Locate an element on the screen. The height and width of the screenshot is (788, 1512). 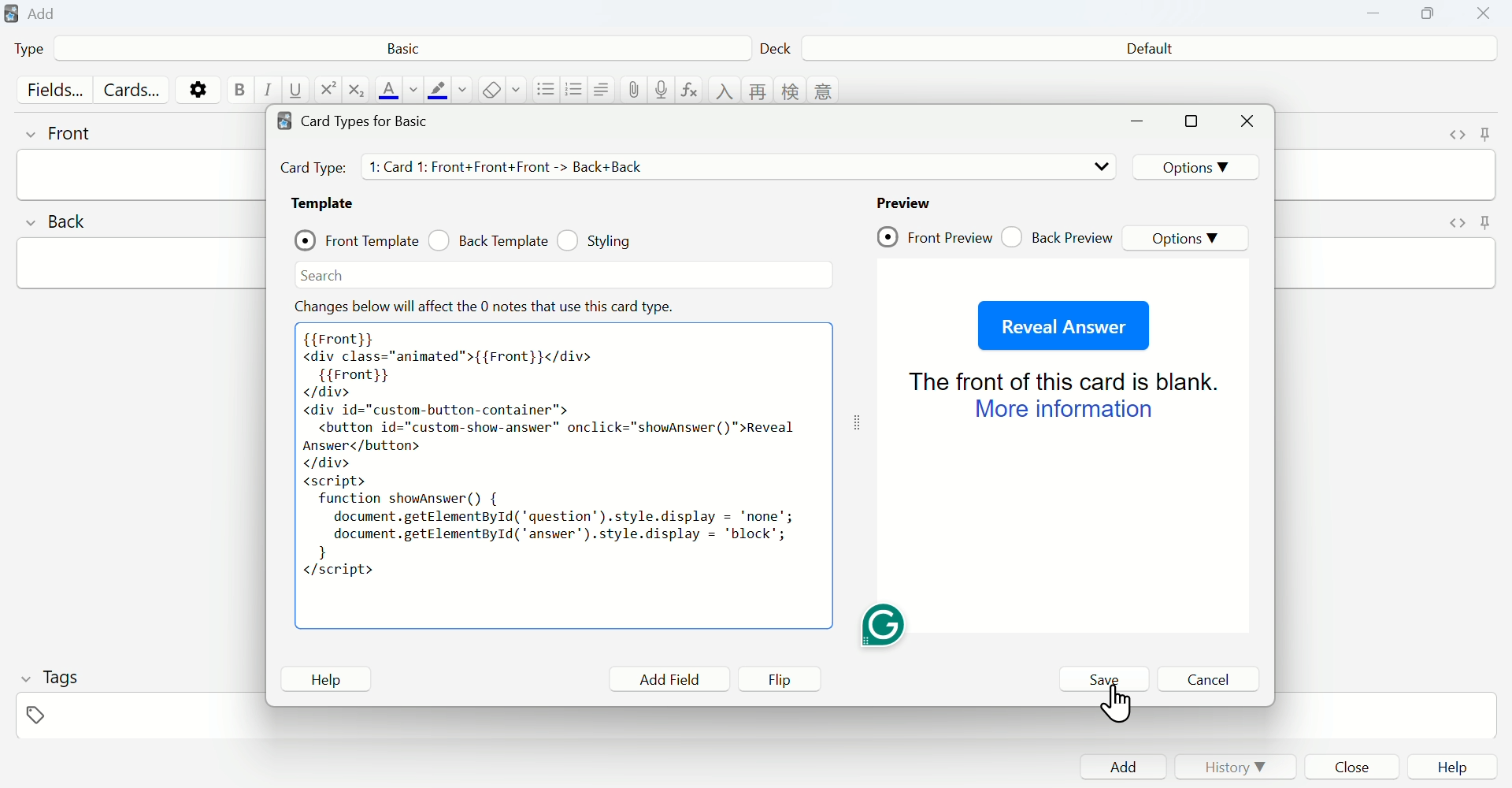
record audio is located at coordinates (661, 90).